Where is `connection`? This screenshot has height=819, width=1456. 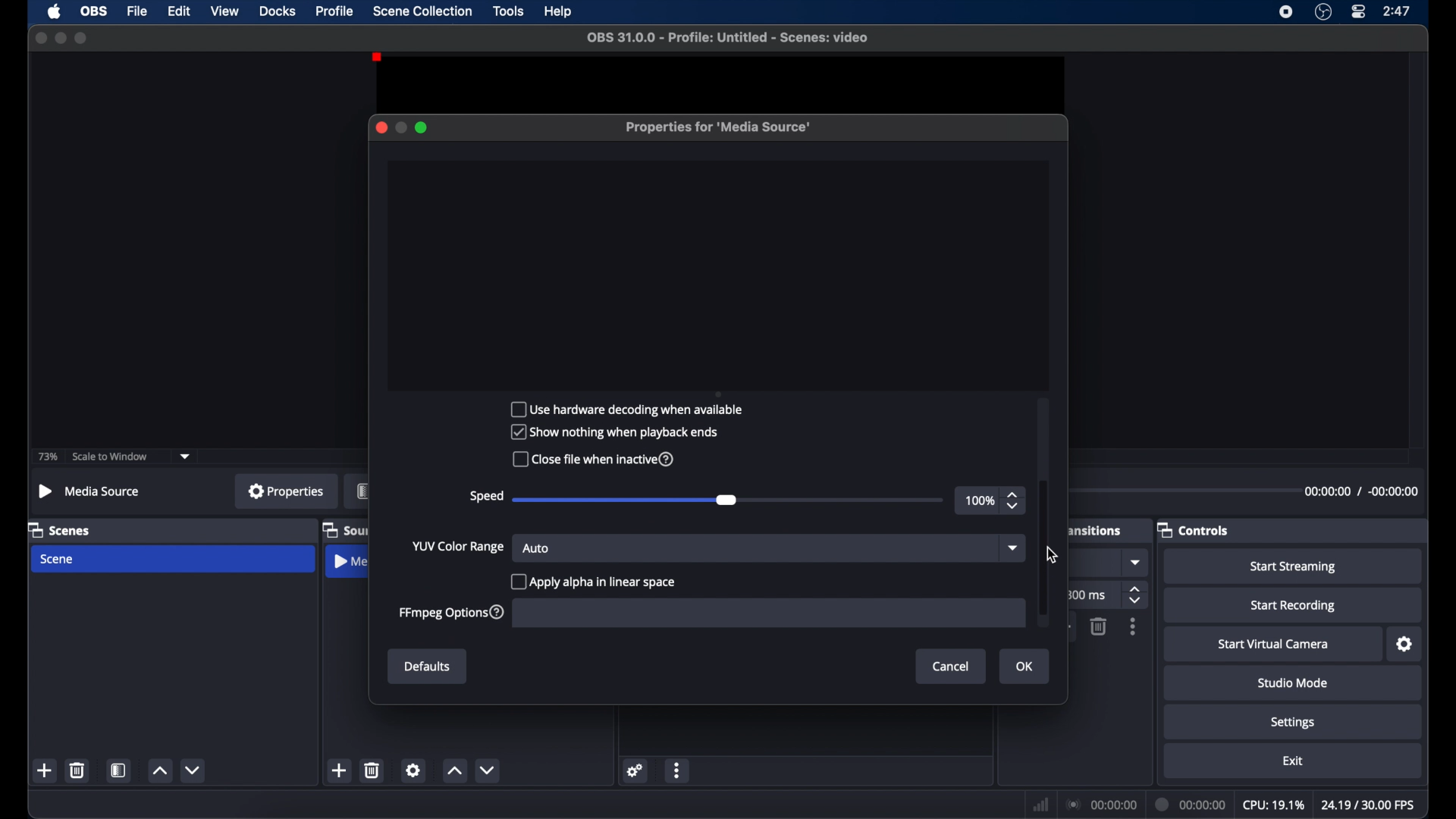
connection is located at coordinates (1102, 805).